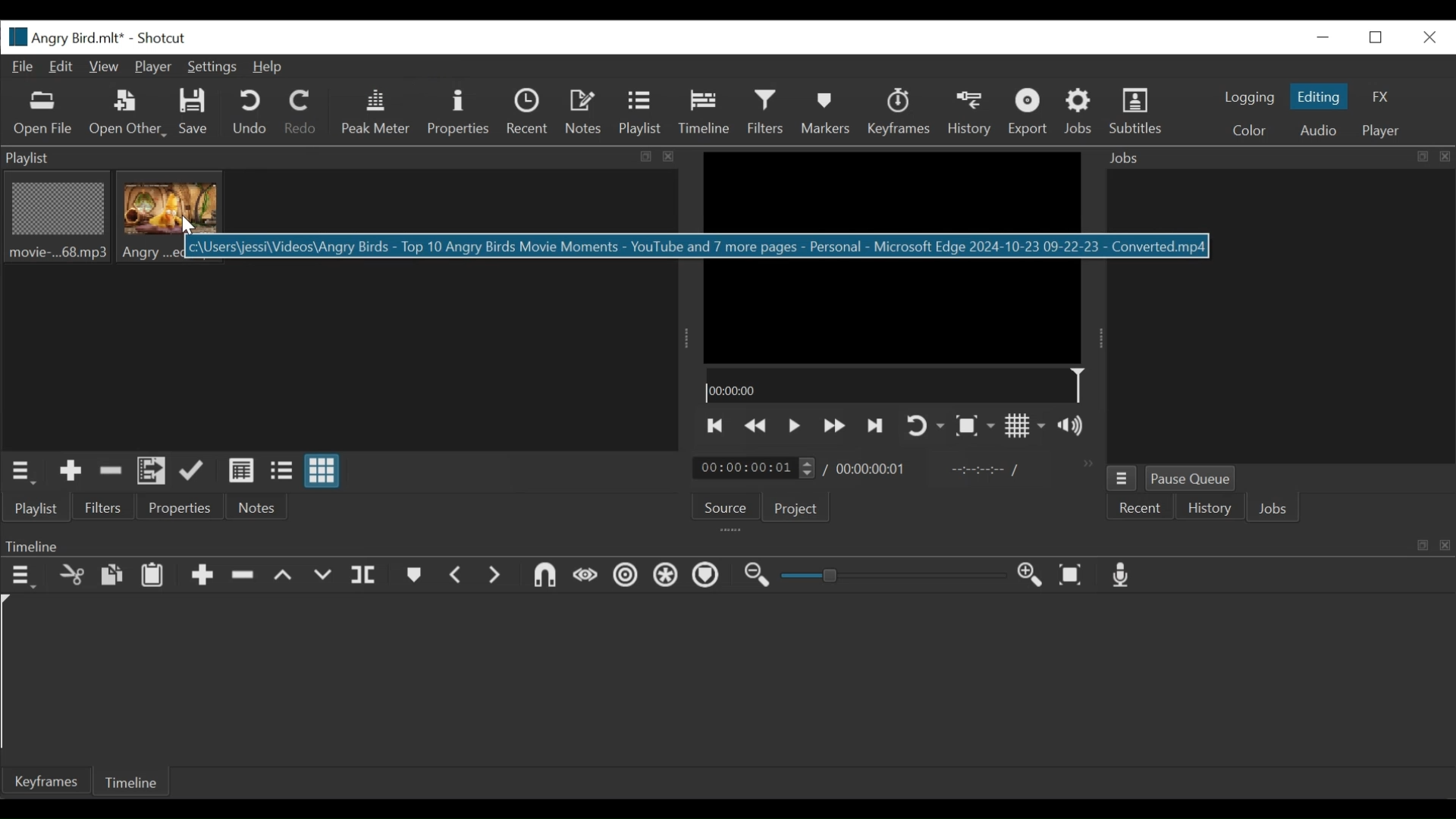 Image resolution: width=1456 pixels, height=819 pixels. Describe the element at coordinates (873, 468) in the screenshot. I see `Total Duration` at that location.